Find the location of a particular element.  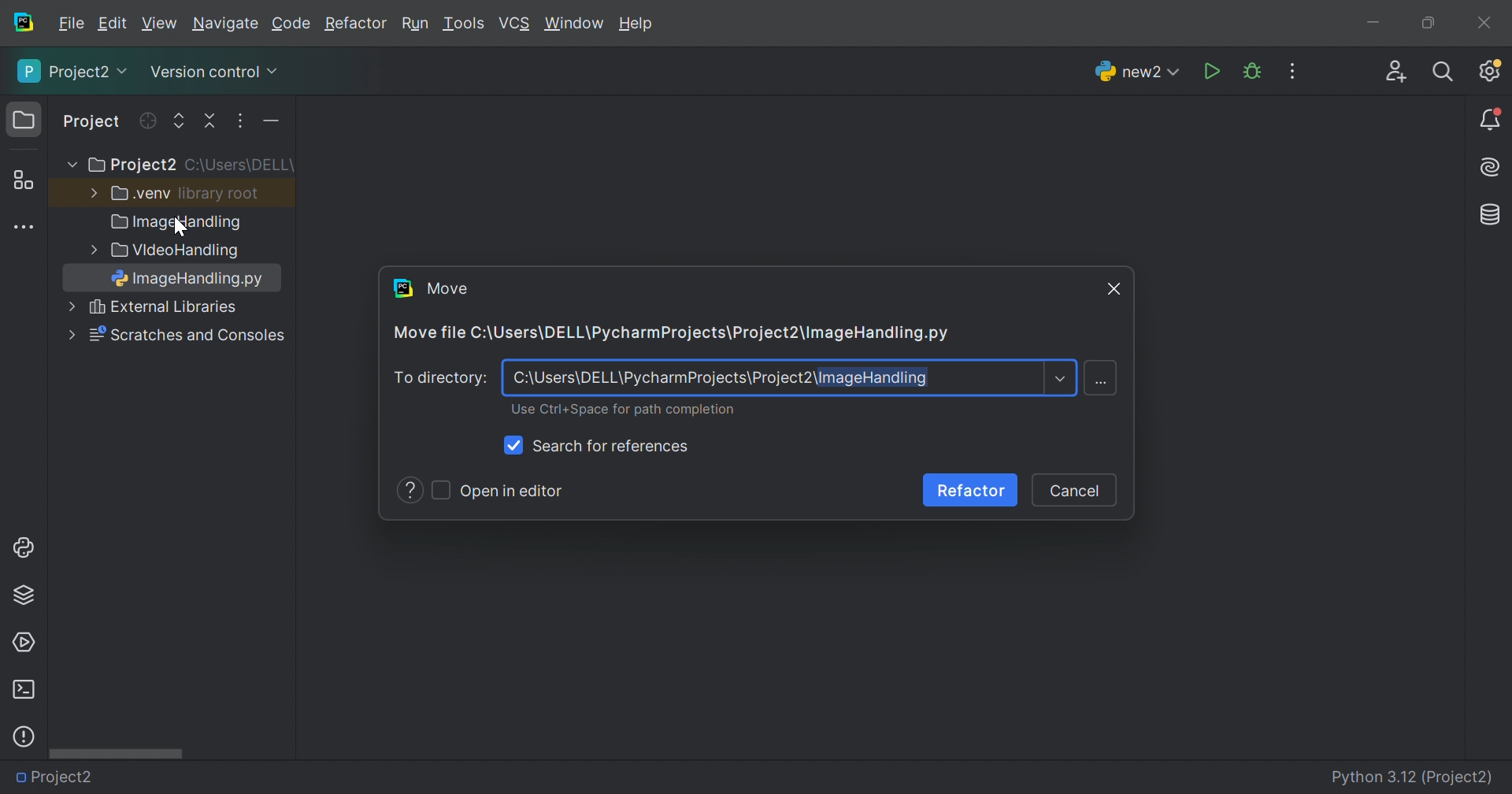

More Actions is located at coordinates (1292, 71).